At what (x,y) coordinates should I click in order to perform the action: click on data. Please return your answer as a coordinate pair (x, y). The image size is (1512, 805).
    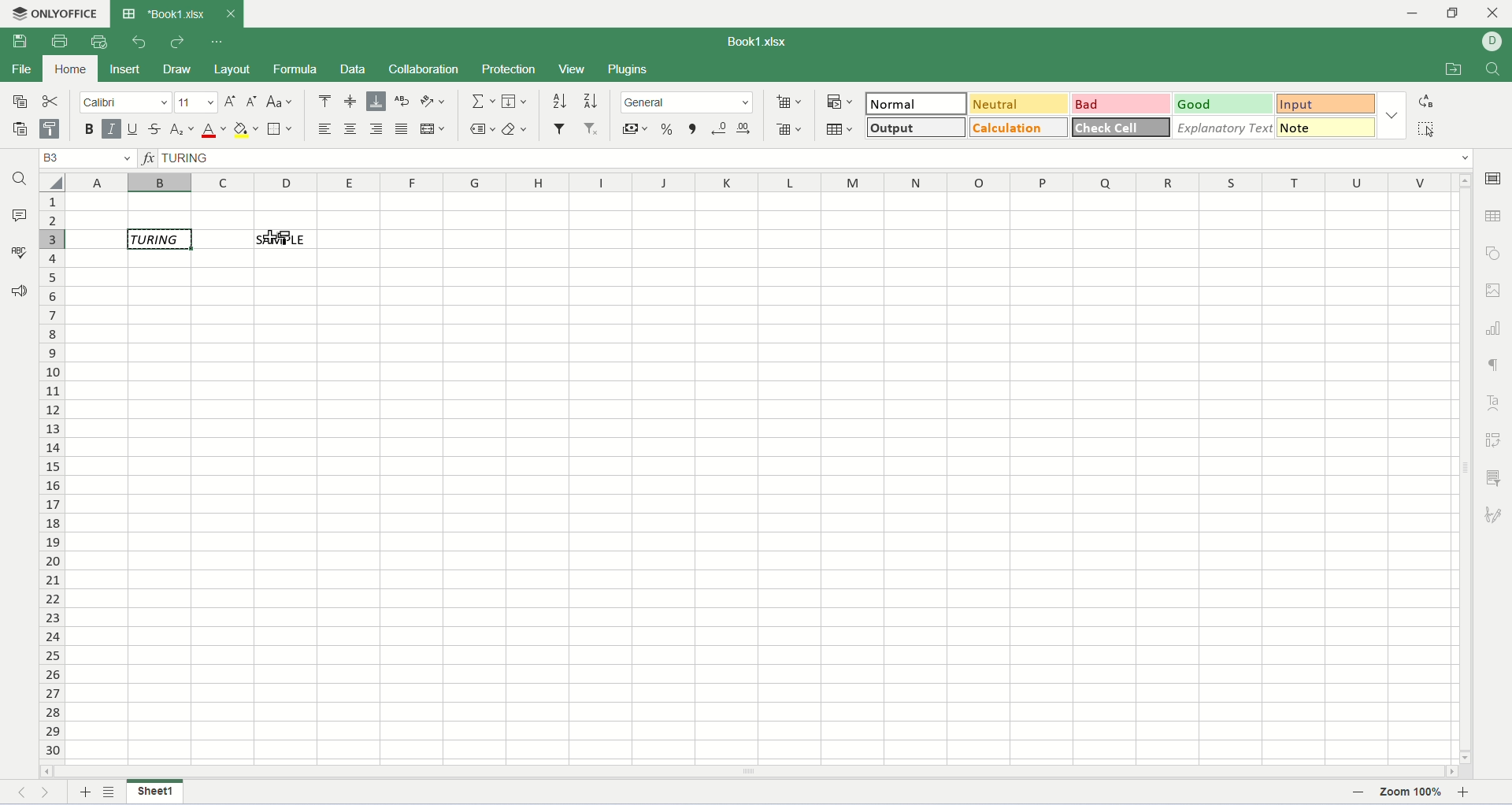
    Looking at the image, I should click on (359, 72).